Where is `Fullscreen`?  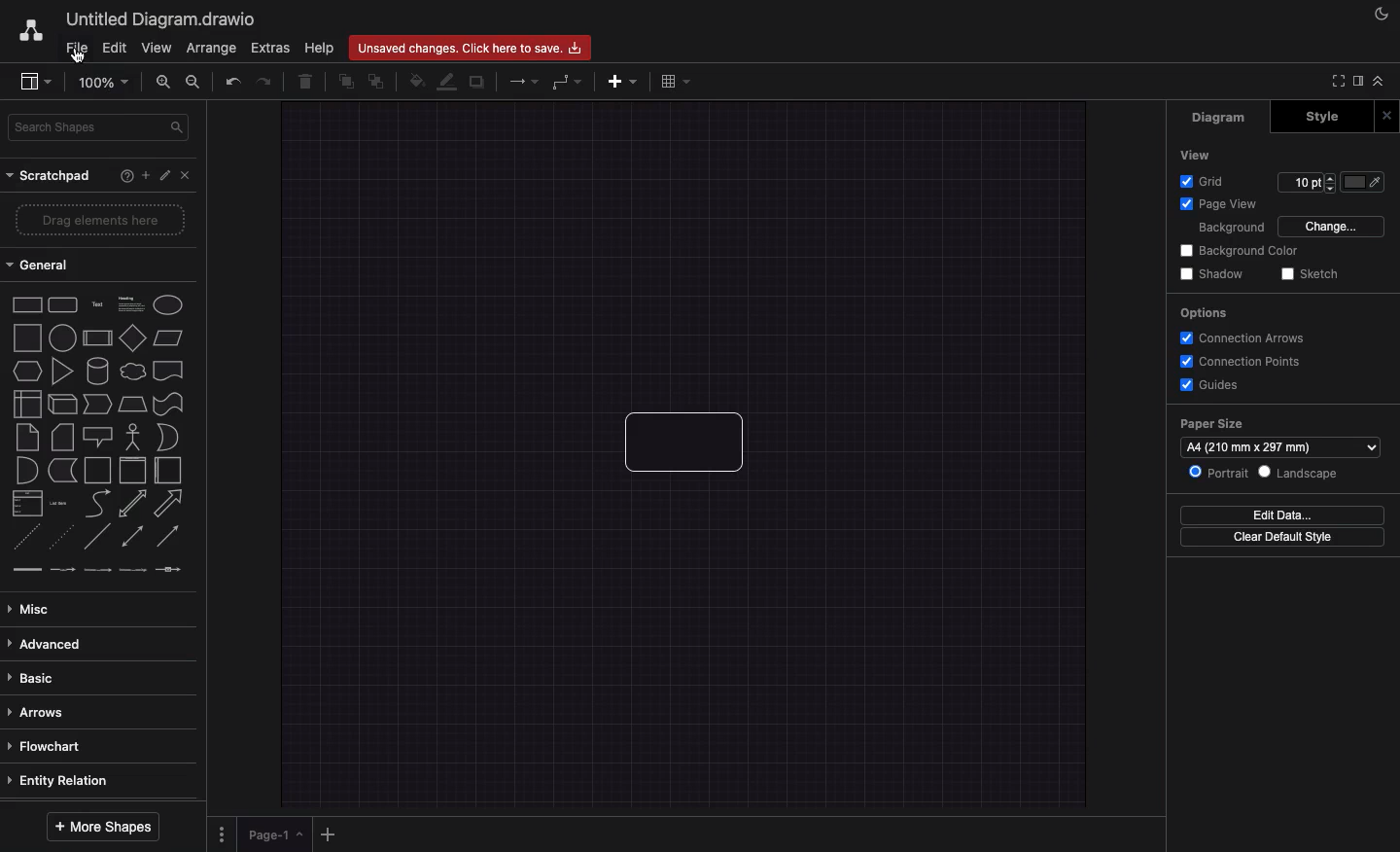
Fullscreen is located at coordinates (1335, 83).